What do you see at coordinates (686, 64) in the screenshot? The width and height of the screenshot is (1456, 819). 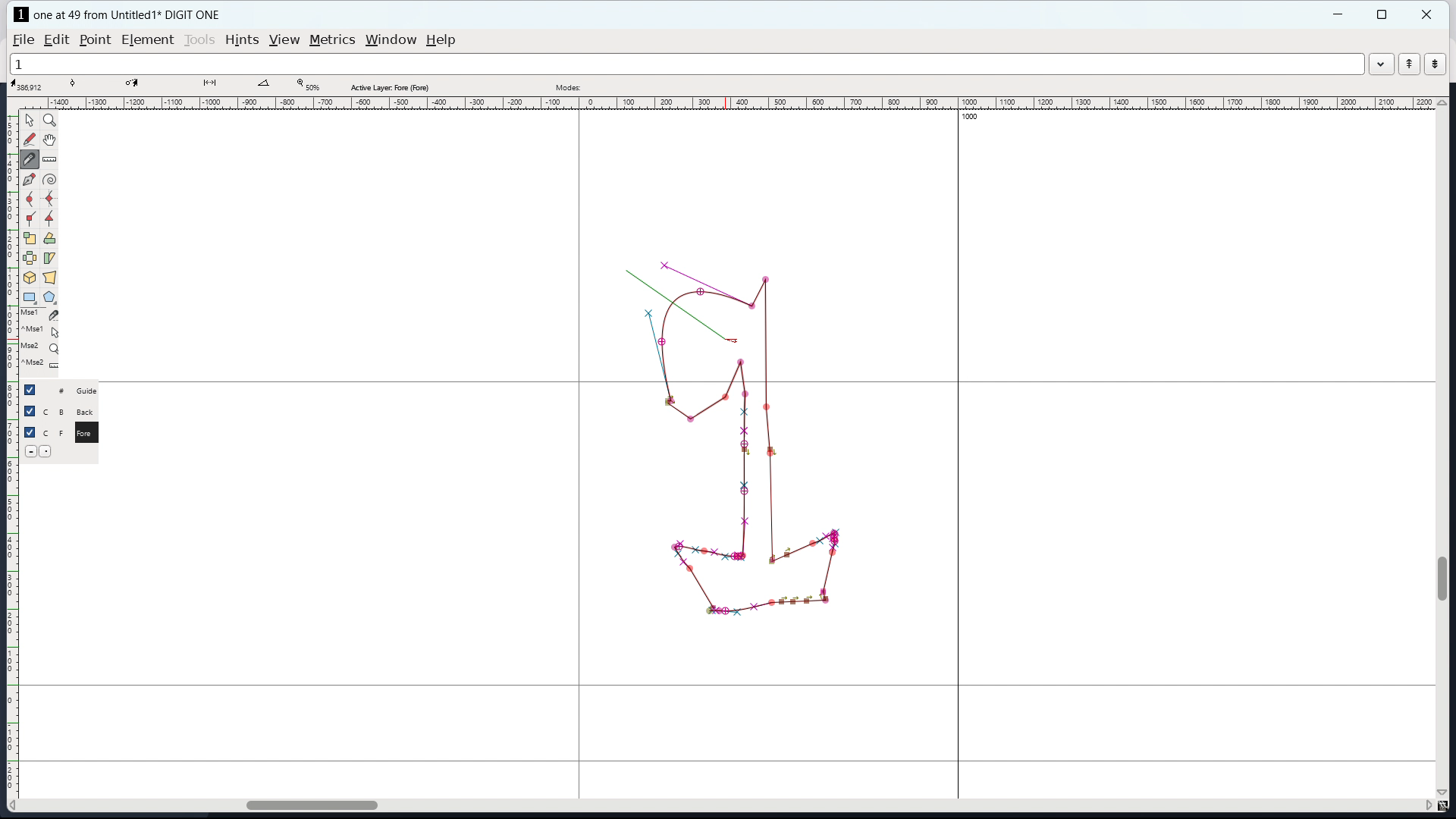 I see `1` at bounding box center [686, 64].